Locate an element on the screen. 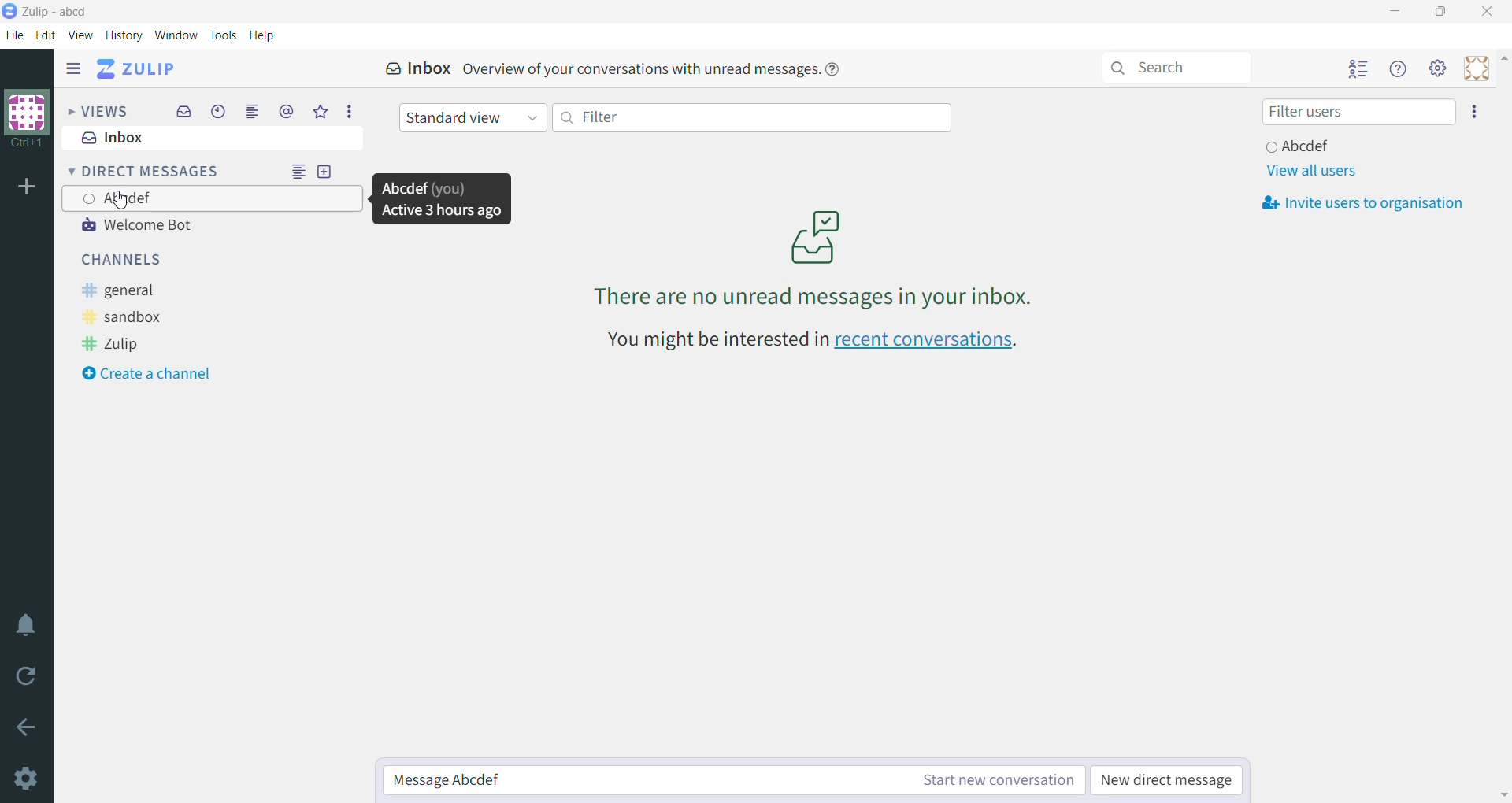 The height and width of the screenshot is (803, 1512). Current user and status is located at coordinates (1300, 146).